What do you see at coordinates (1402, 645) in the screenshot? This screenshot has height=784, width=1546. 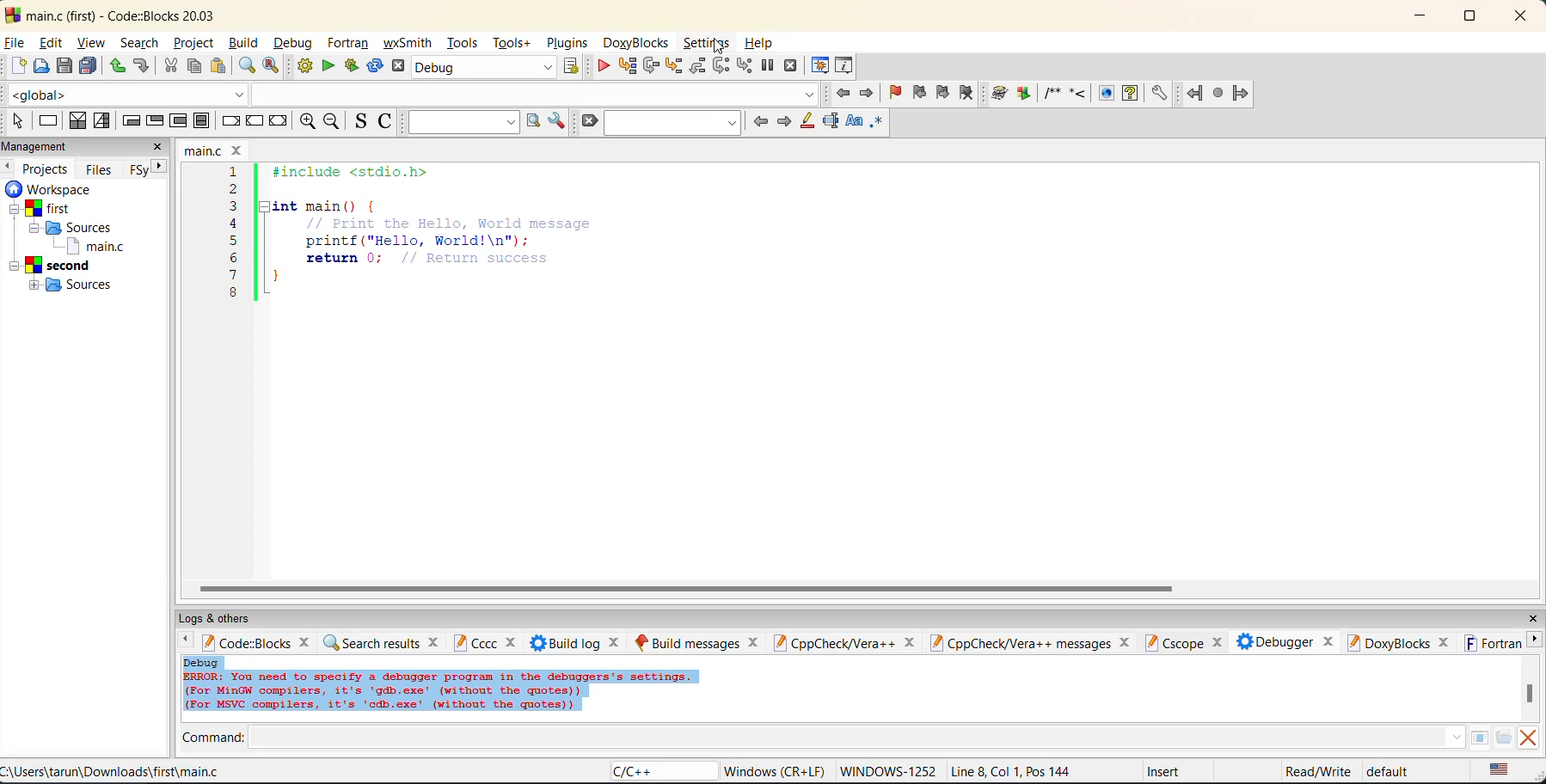 I see `doxyblocks` at bounding box center [1402, 645].